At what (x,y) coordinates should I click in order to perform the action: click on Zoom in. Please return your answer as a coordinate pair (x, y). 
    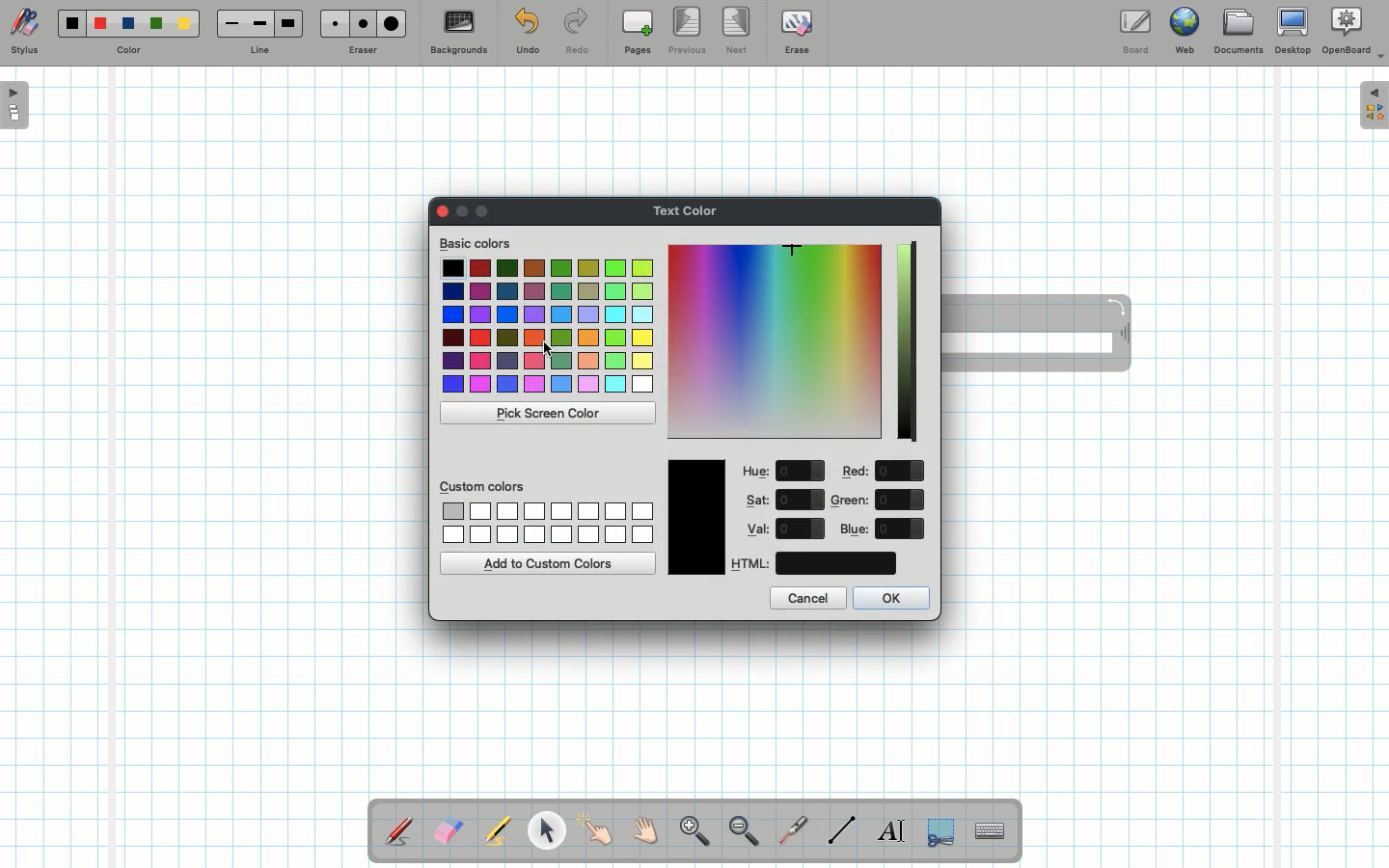
    Looking at the image, I should click on (690, 833).